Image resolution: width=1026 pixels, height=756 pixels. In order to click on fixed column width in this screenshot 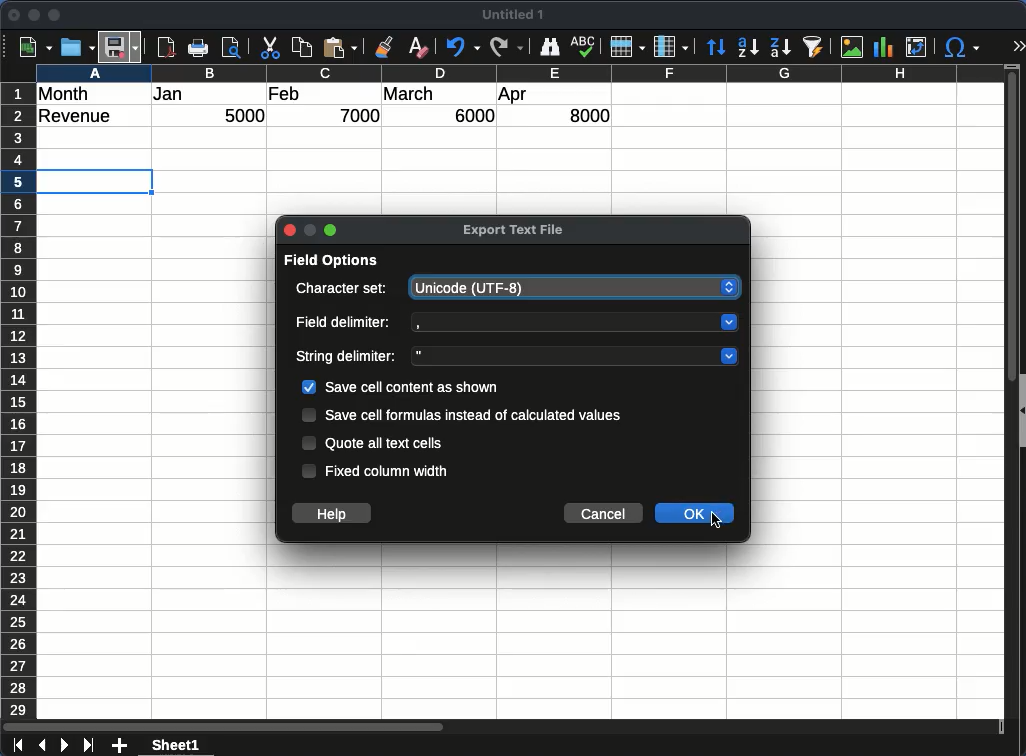, I will do `click(390, 470)`.